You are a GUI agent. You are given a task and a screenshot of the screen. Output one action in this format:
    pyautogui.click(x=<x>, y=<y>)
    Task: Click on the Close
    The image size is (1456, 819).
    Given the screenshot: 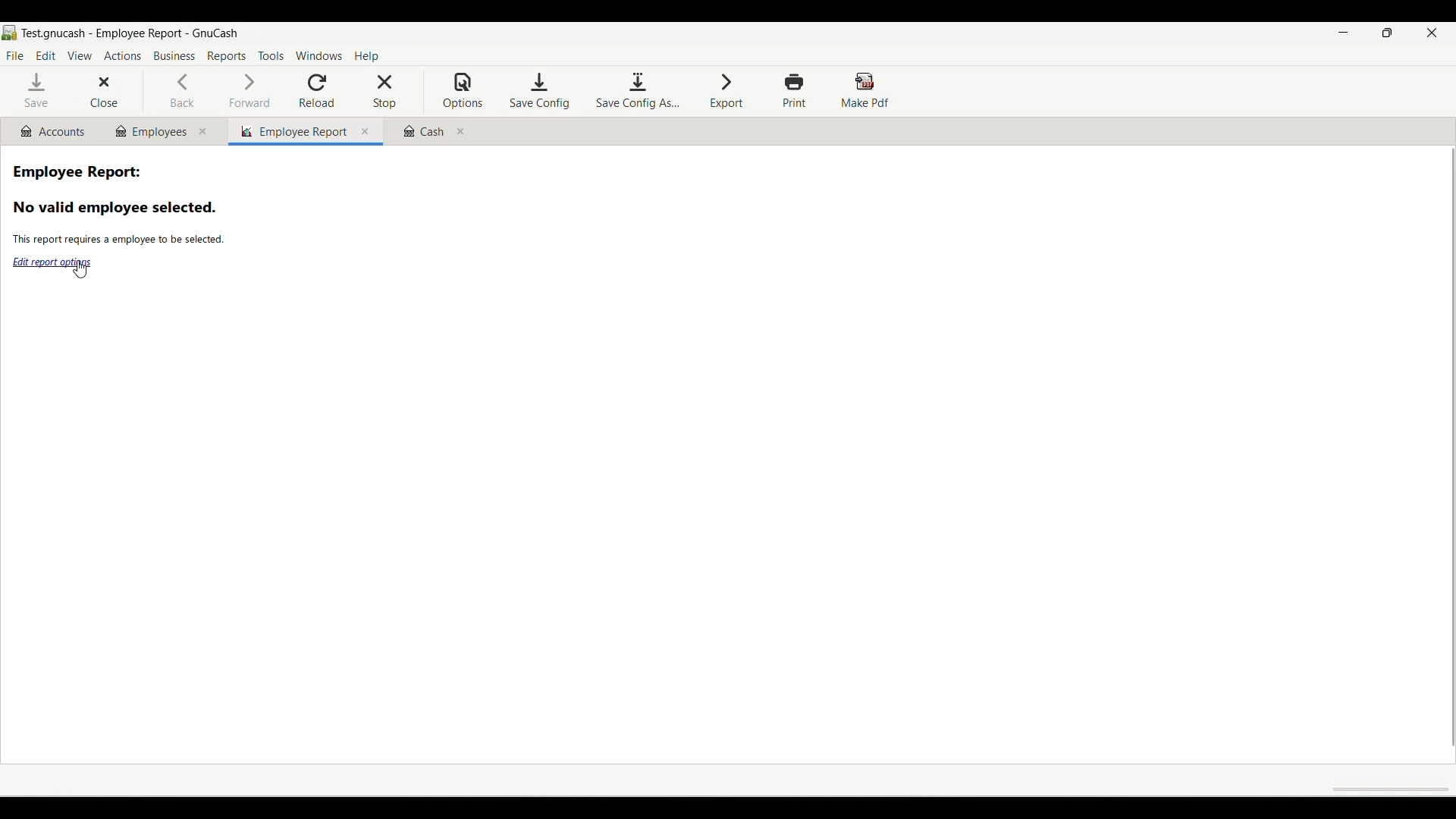 What is the action you would take?
    pyautogui.click(x=105, y=92)
    